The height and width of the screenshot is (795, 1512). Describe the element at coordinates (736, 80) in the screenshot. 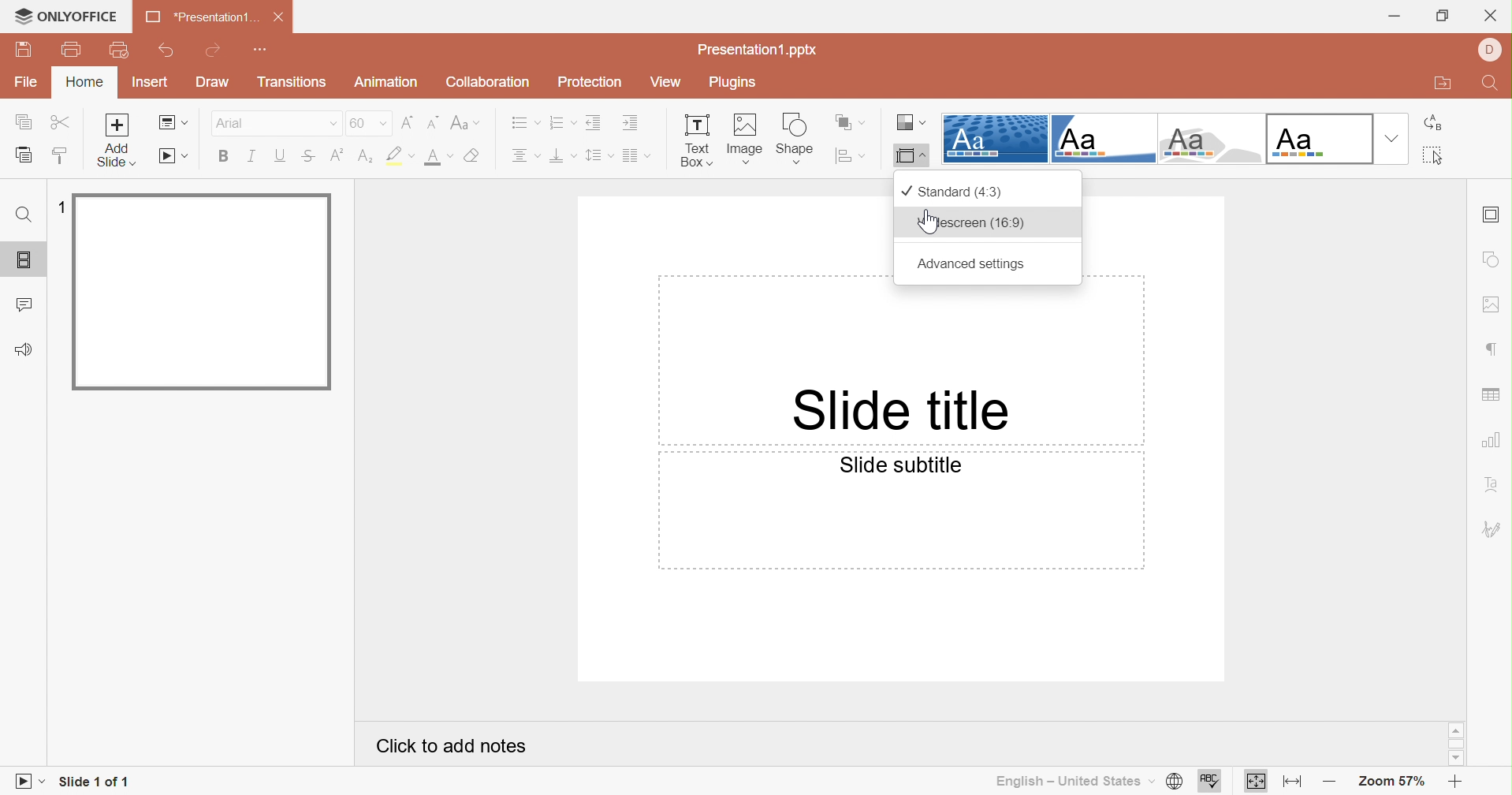

I see `Plugins` at that location.